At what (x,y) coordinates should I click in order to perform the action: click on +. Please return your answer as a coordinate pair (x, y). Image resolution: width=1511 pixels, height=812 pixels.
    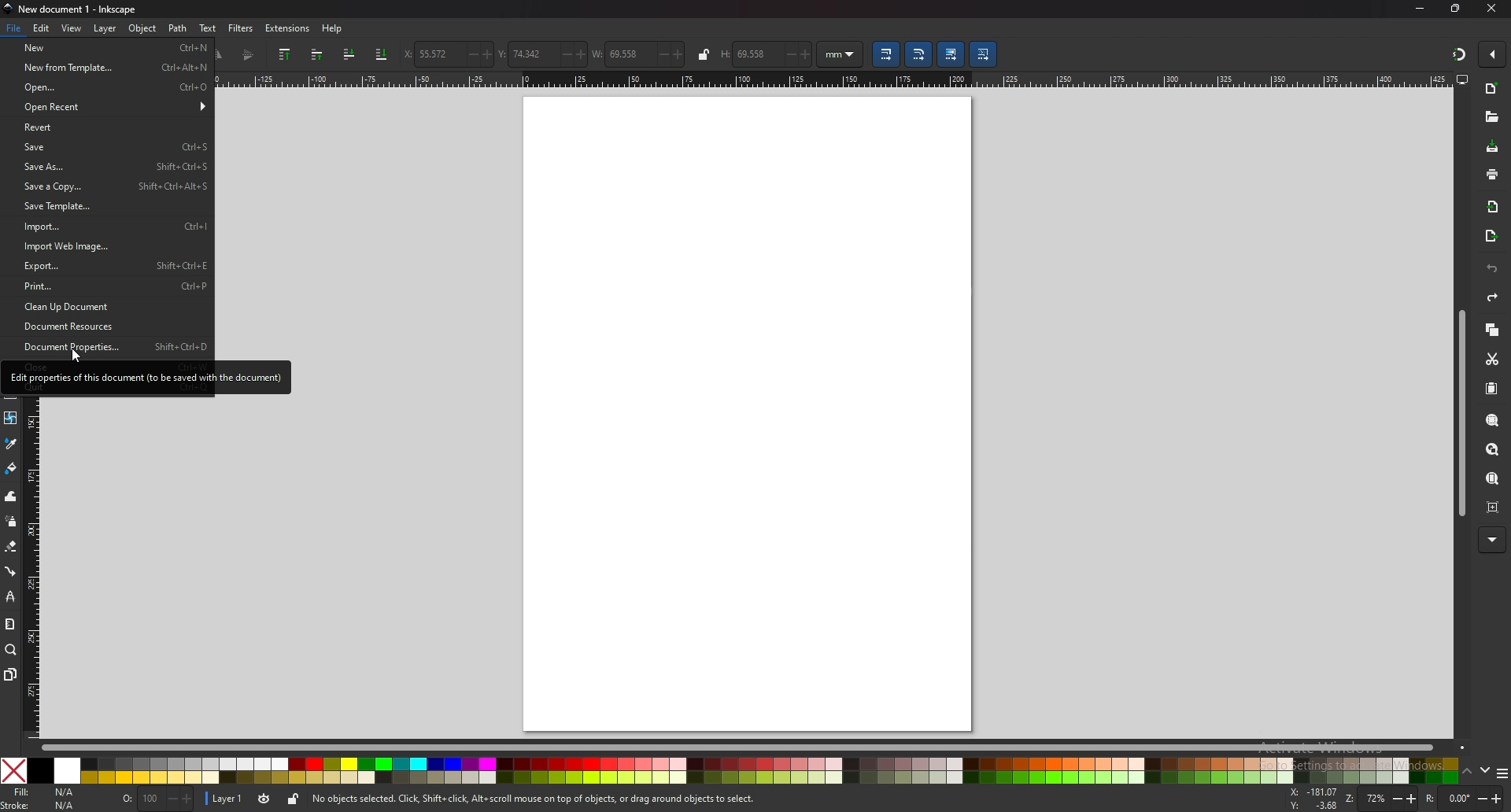
    Looking at the image, I should click on (486, 55).